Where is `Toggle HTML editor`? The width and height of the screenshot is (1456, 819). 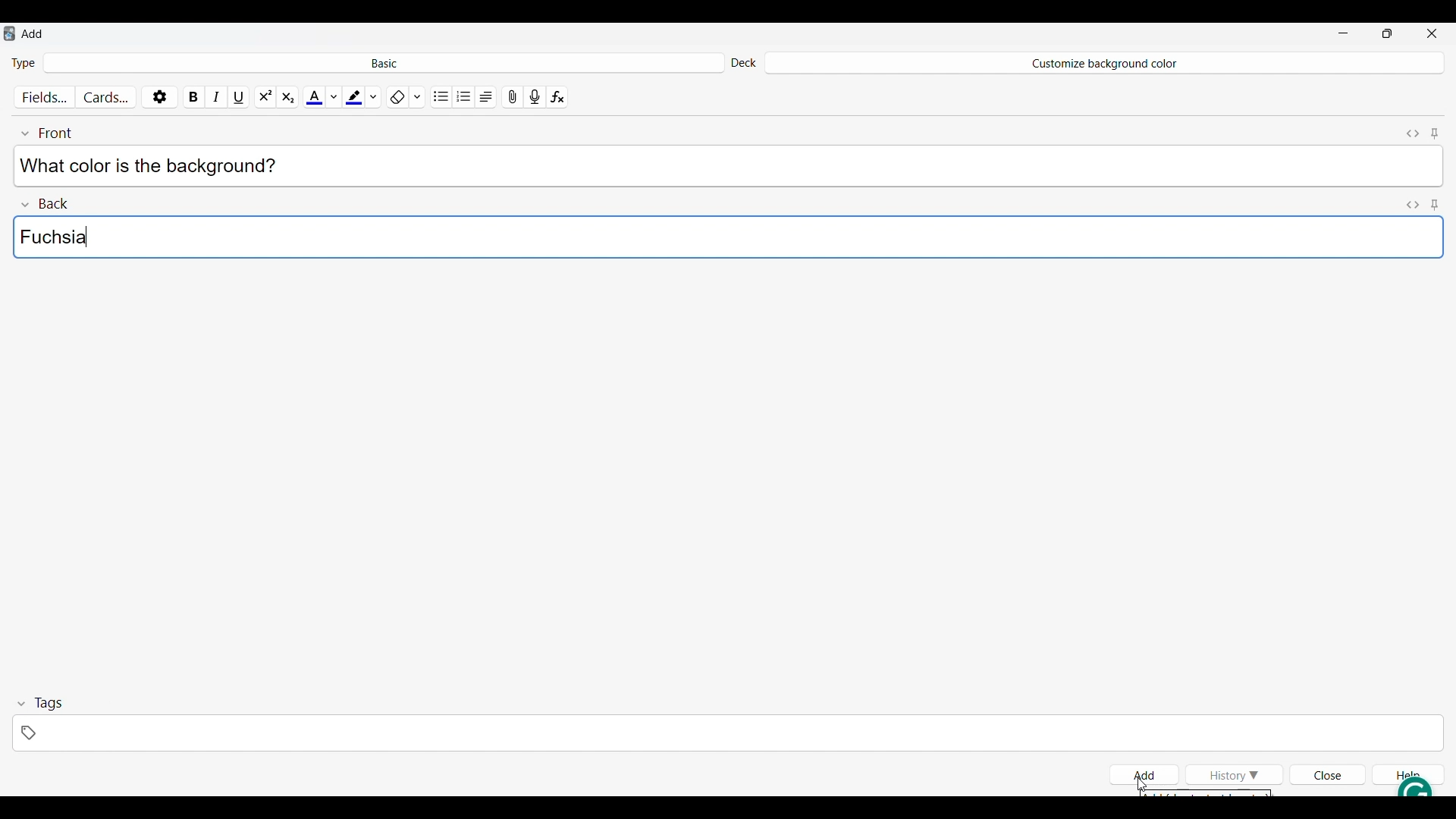 Toggle HTML editor is located at coordinates (1414, 203).